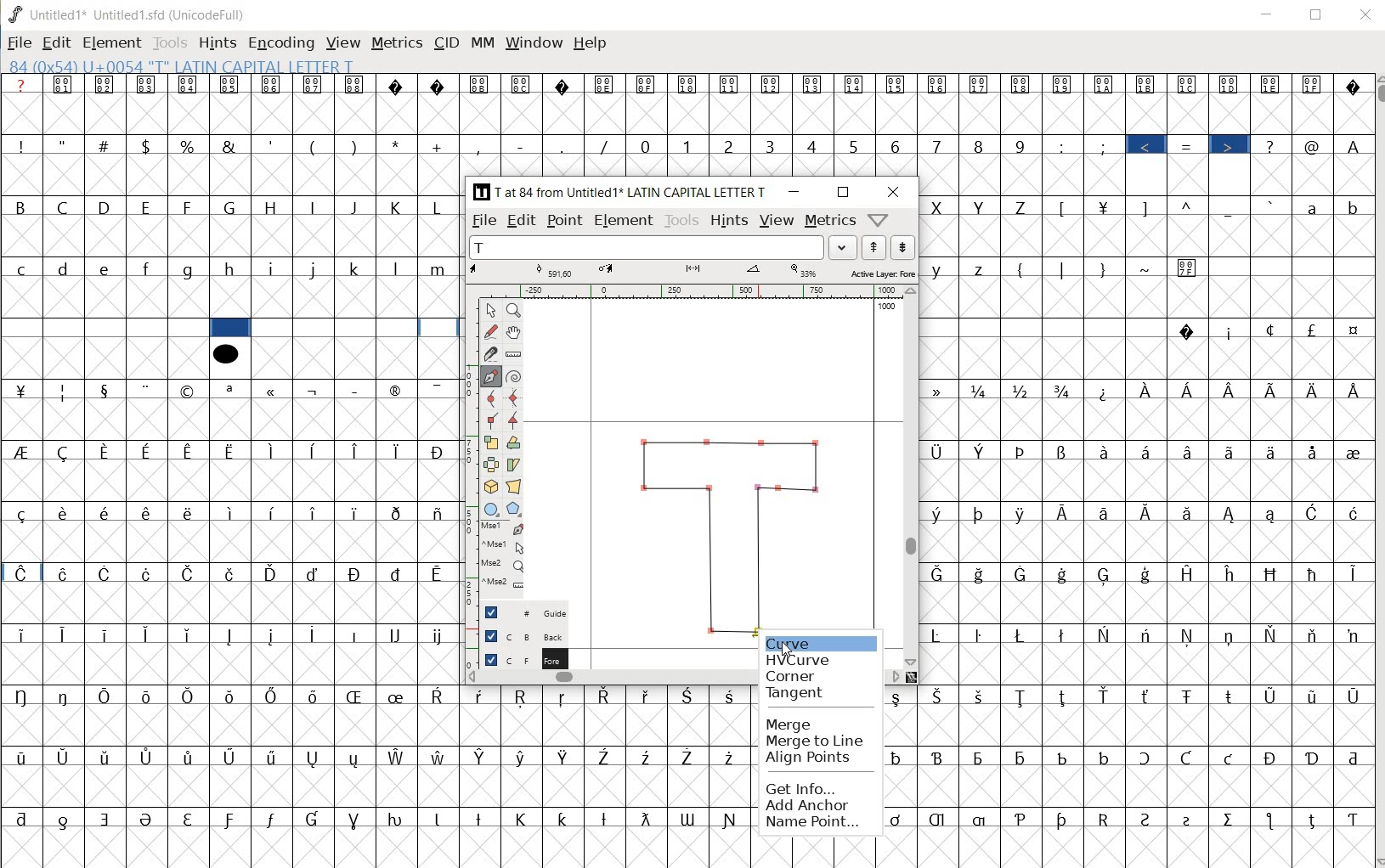 The image size is (1385, 868). What do you see at coordinates (189, 817) in the screenshot?
I see `Symbol` at bounding box center [189, 817].